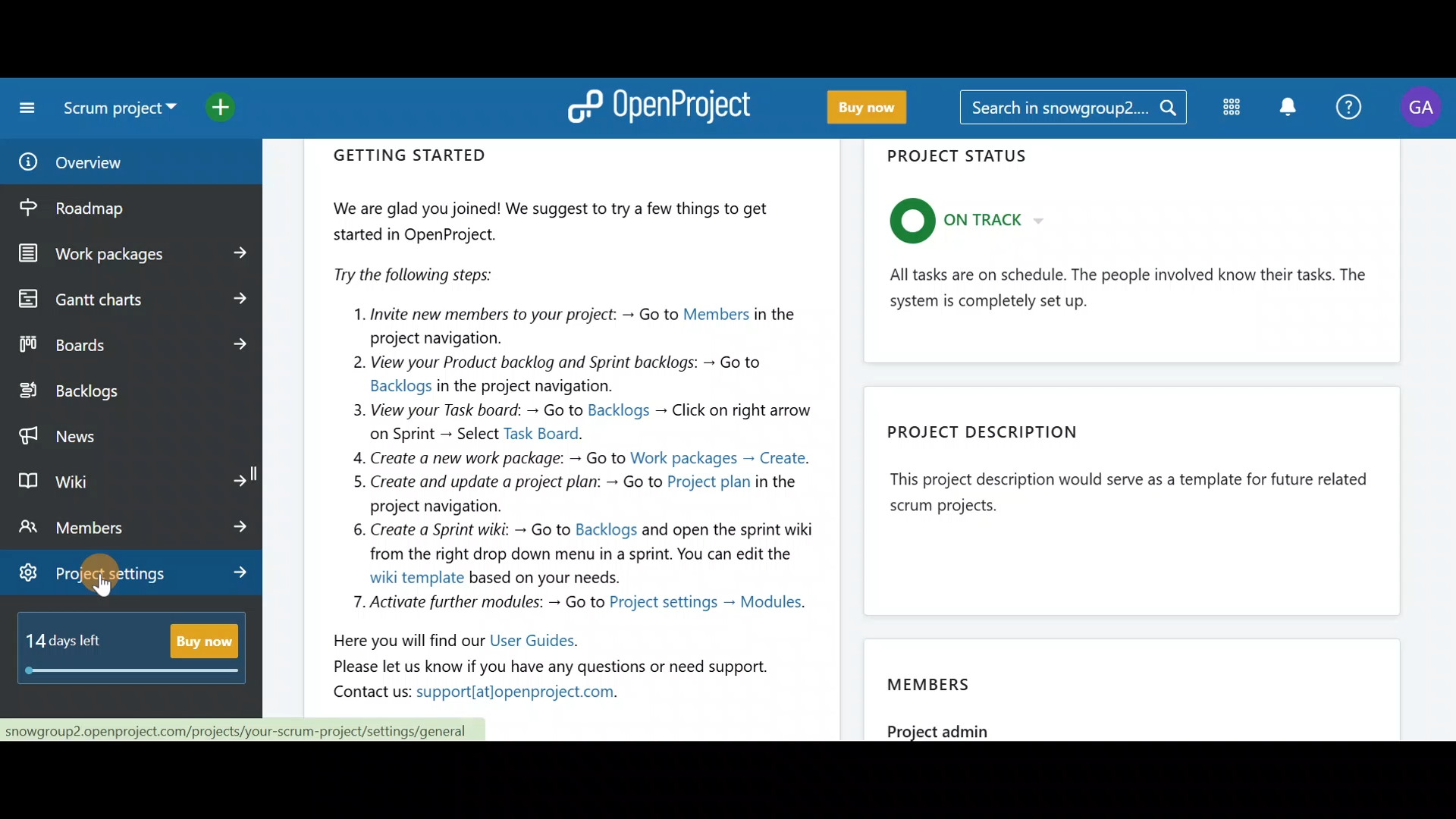 The width and height of the screenshot is (1456, 819). Describe the element at coordinates (1132, 497) in the screenshot. I see `Project description` at that location.